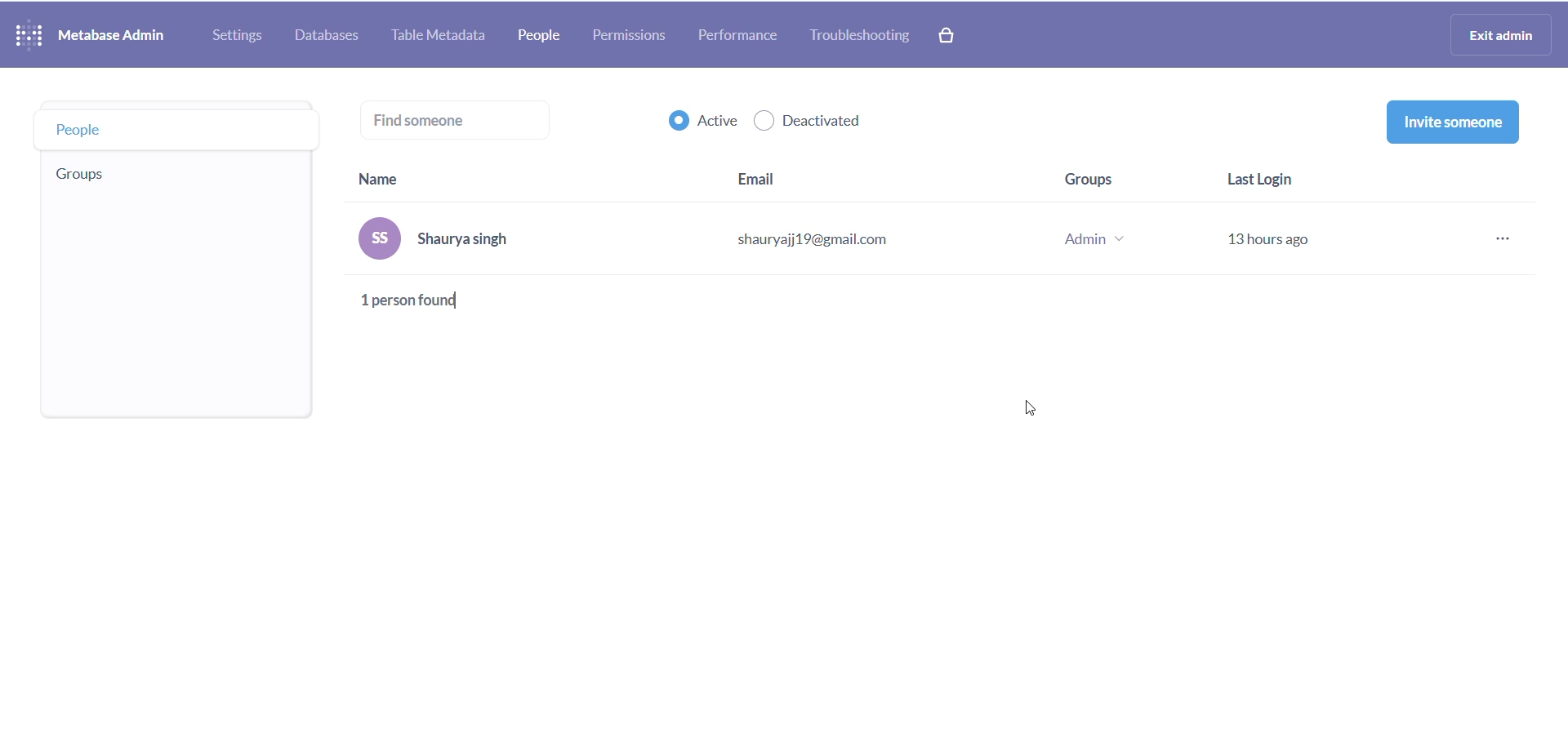 This screenshot has height=743, width=1568. Describe the element at coordinates (834, 242) in the screenshot. I see `email` at that location.